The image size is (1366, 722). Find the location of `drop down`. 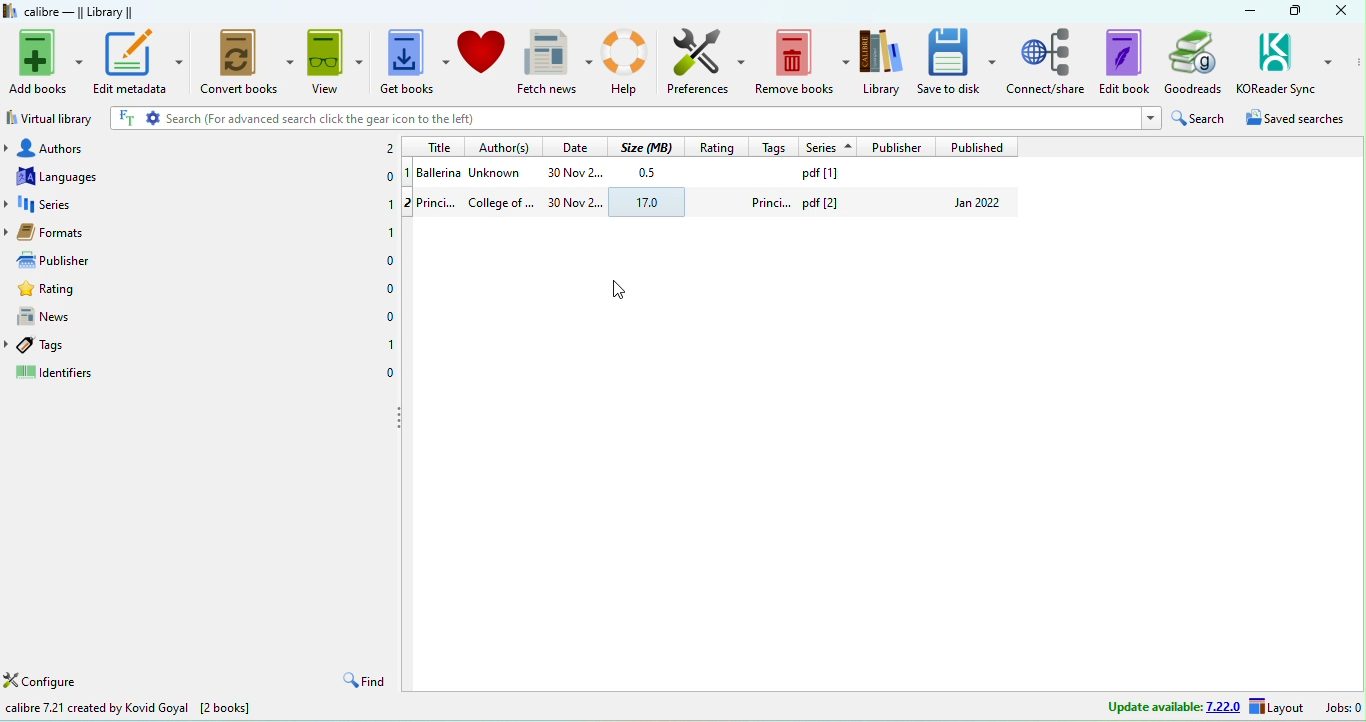

drop down is located at coordinates (9, 231).